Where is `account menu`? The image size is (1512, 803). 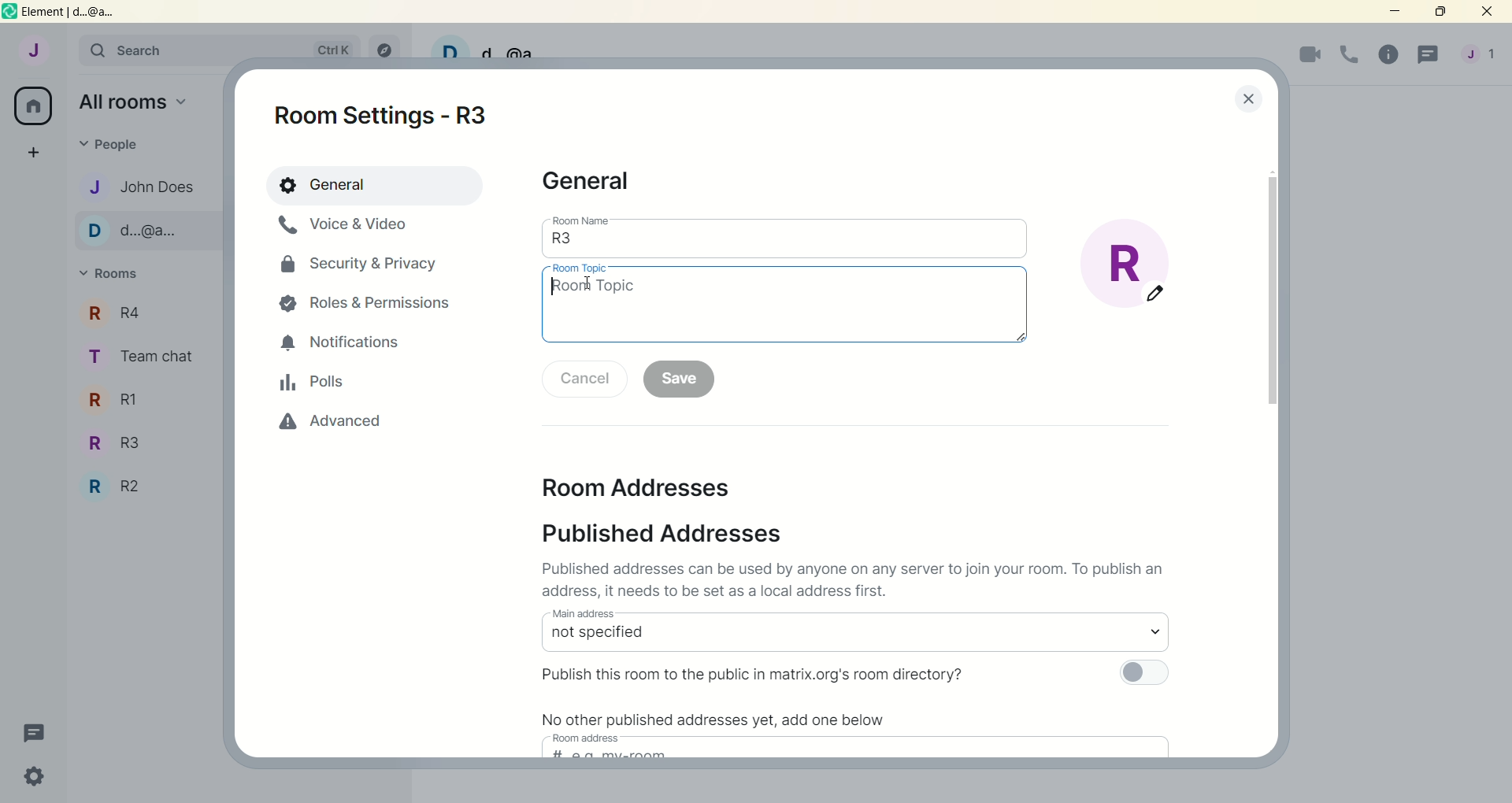 account menu is located at coordinates (1480, 56).